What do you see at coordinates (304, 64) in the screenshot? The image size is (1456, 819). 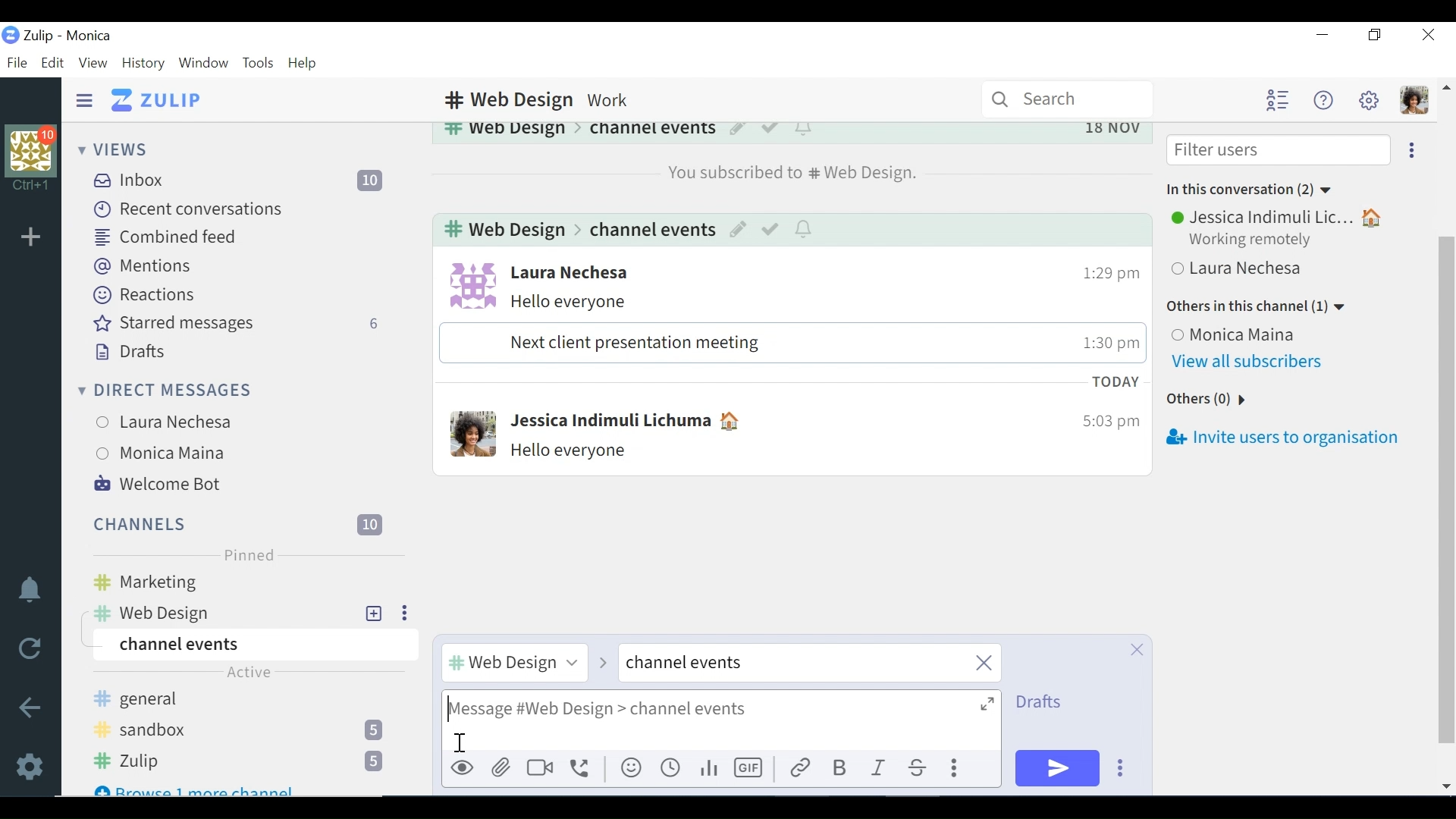 I see `Help` at bounding box center [304, 64].